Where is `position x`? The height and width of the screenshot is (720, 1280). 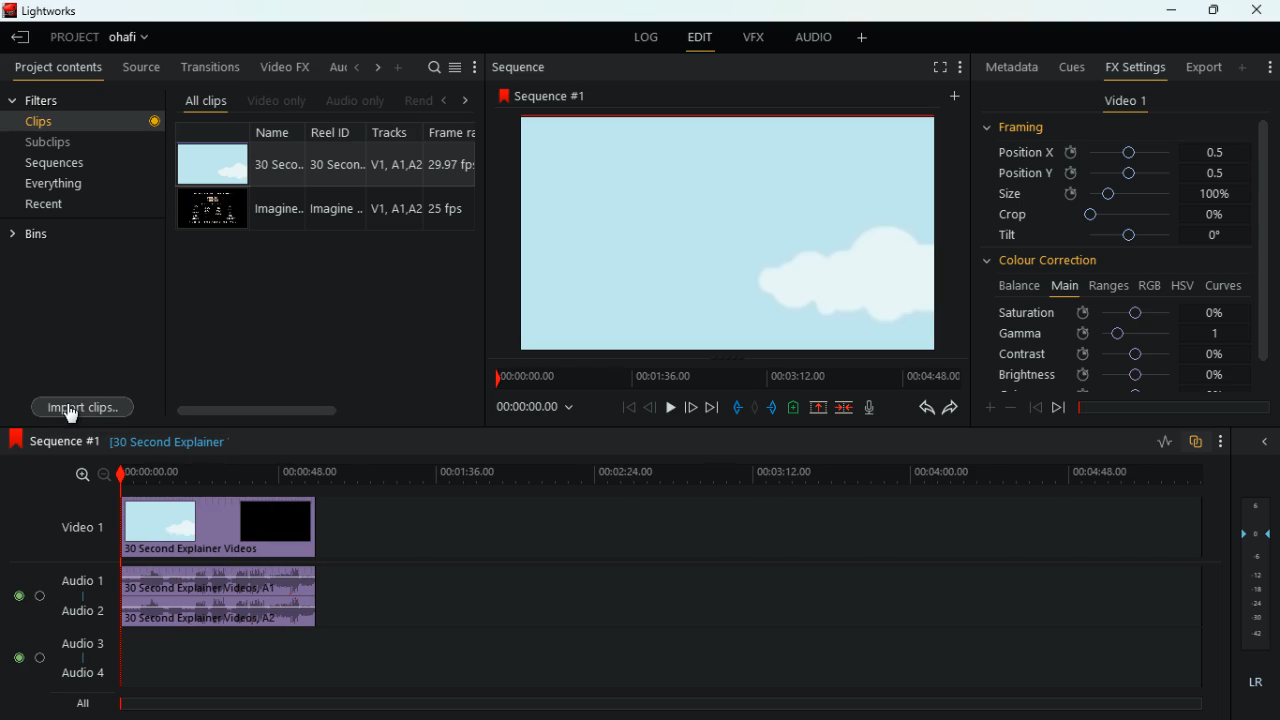 position x is located at coordinates (1116, 152).